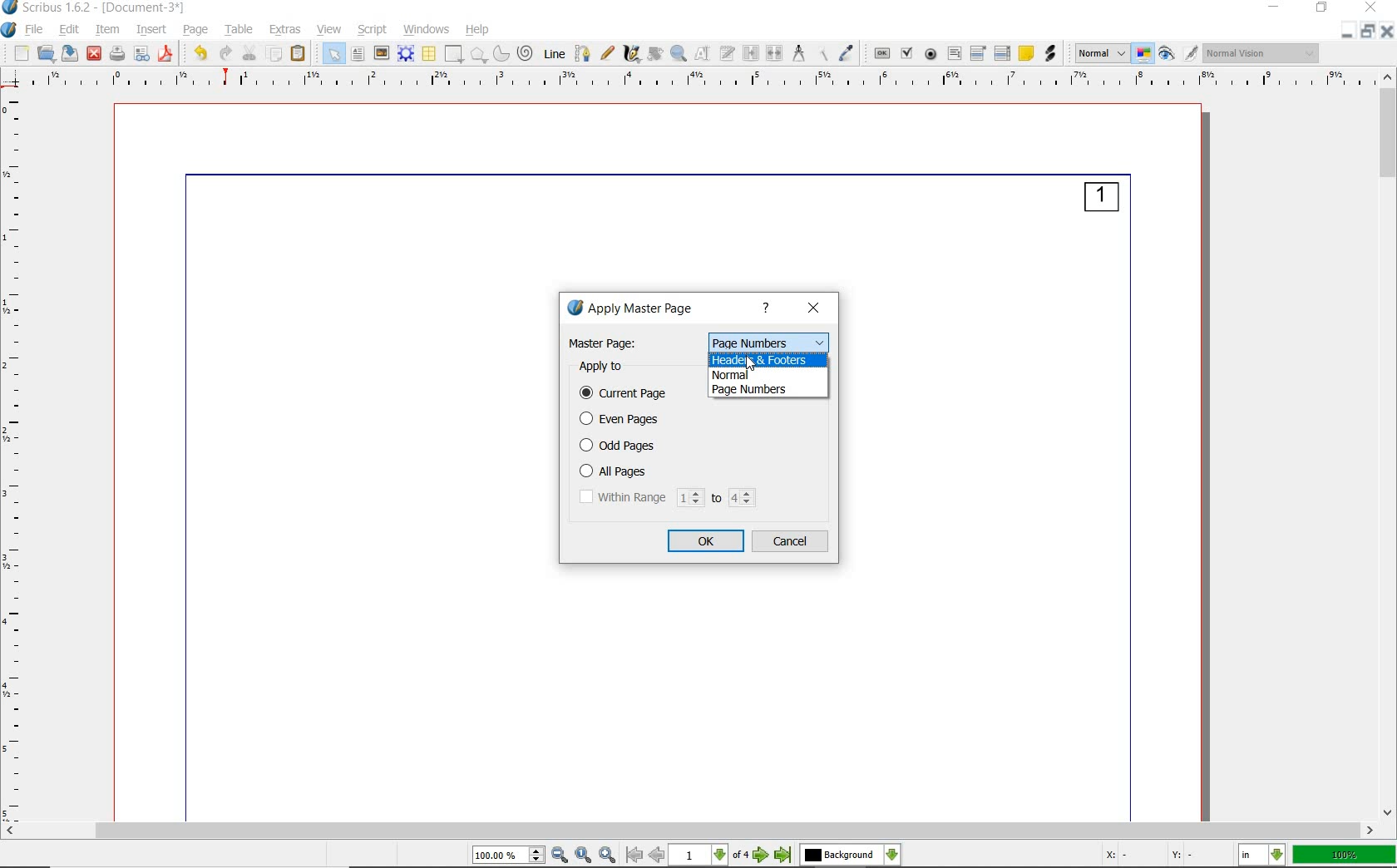 The image size is (1397, 868). I want to click on go to first page, so click(634, 856).